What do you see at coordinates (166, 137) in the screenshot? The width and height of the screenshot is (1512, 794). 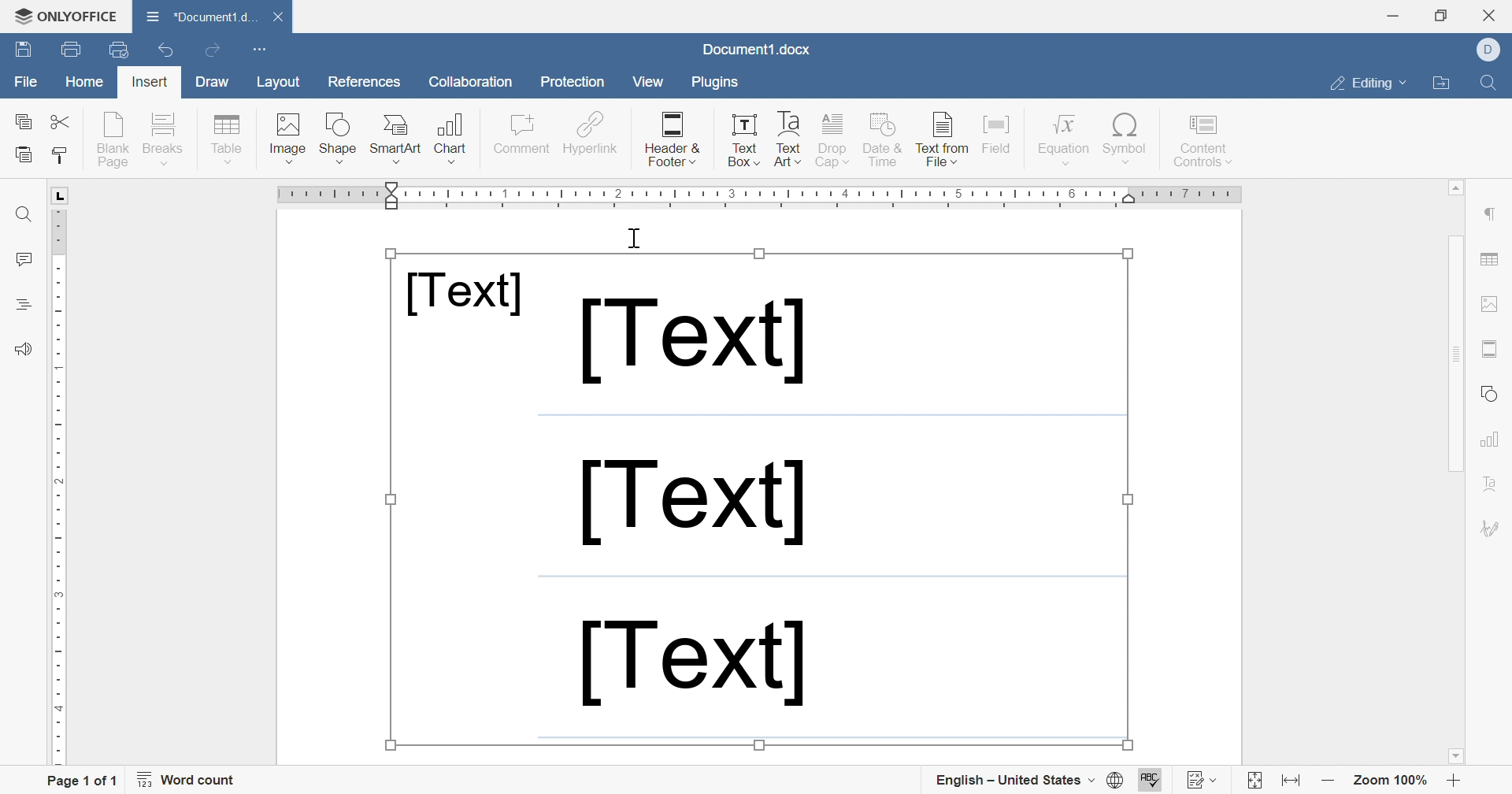 I see `Breaks` at bounding box center [166, 137].